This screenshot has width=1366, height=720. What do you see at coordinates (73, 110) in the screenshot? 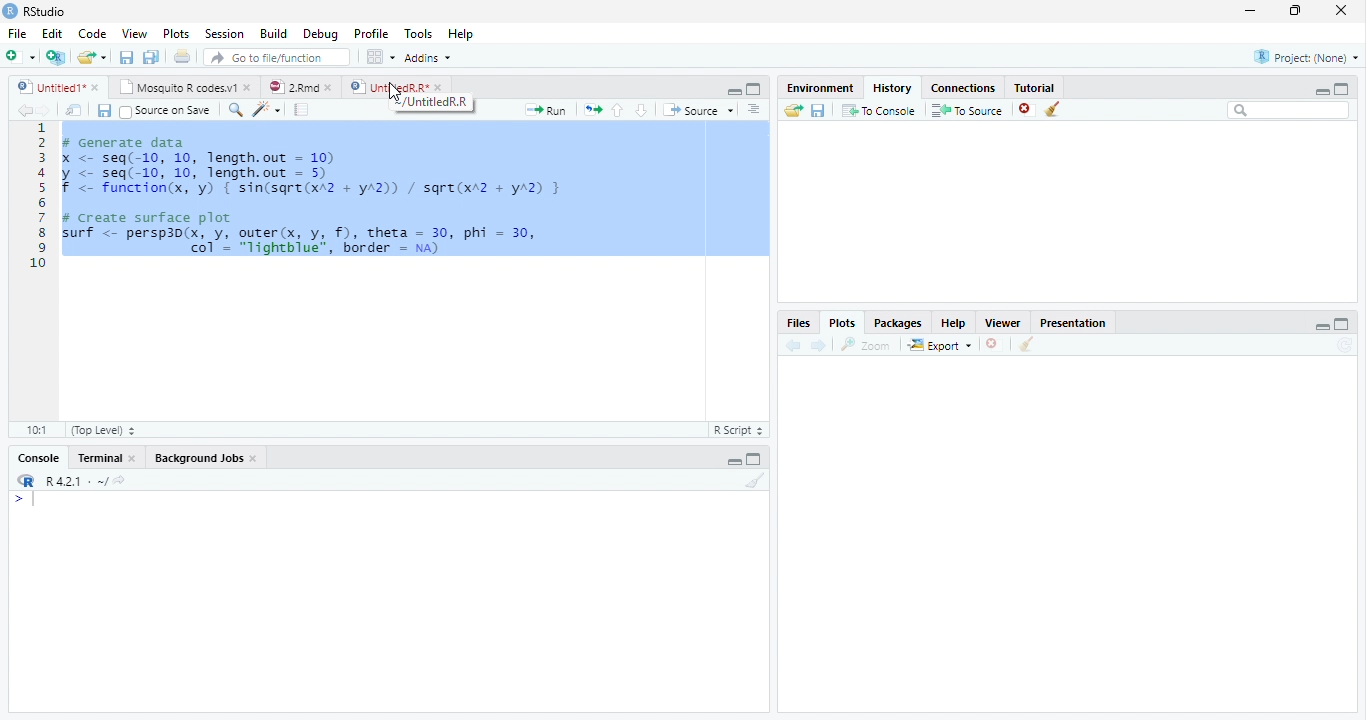
I see `Show in new window` at bounding box center [73, 110].